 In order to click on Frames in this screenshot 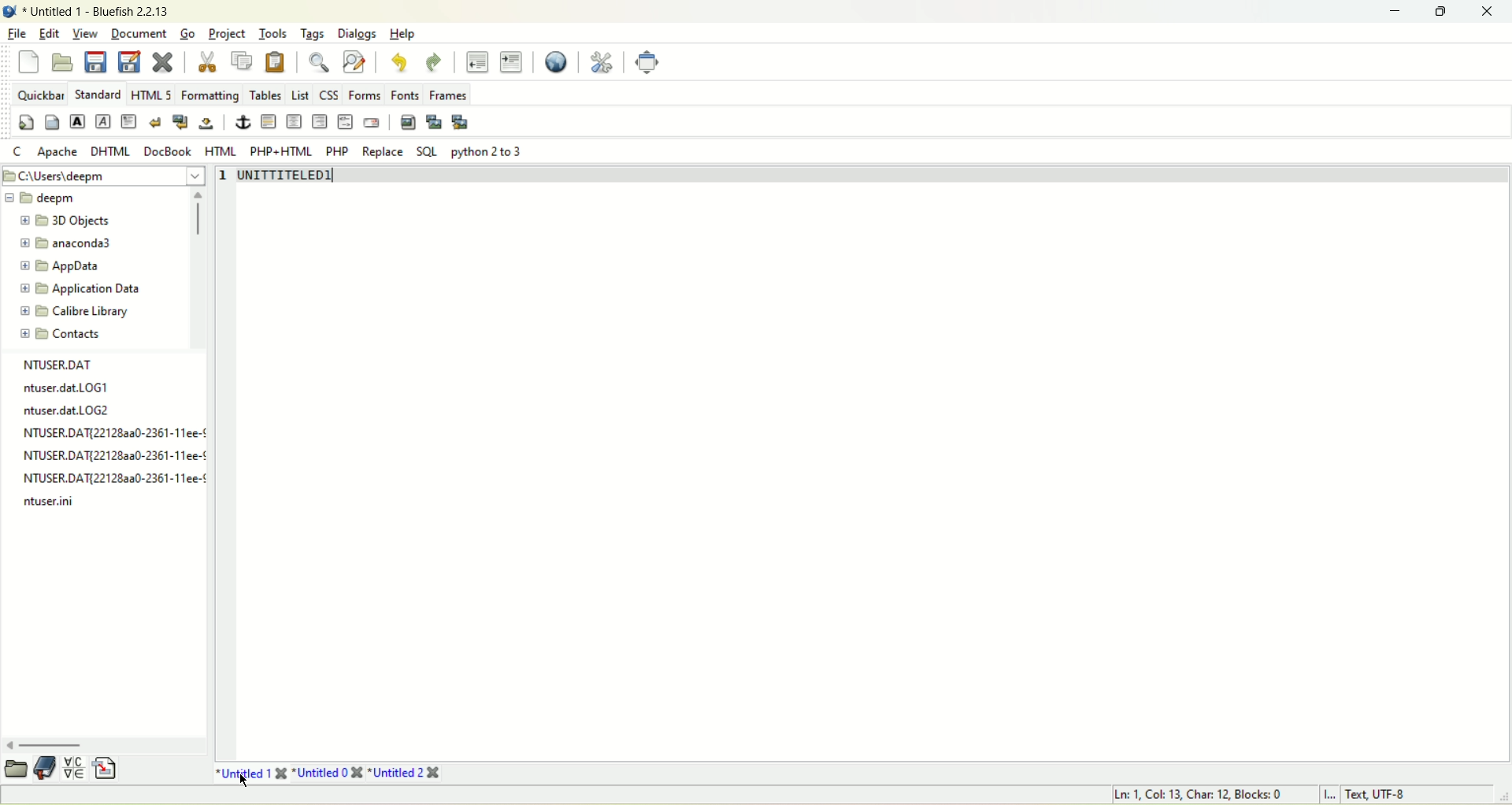, I will do `click(452, 93)`.